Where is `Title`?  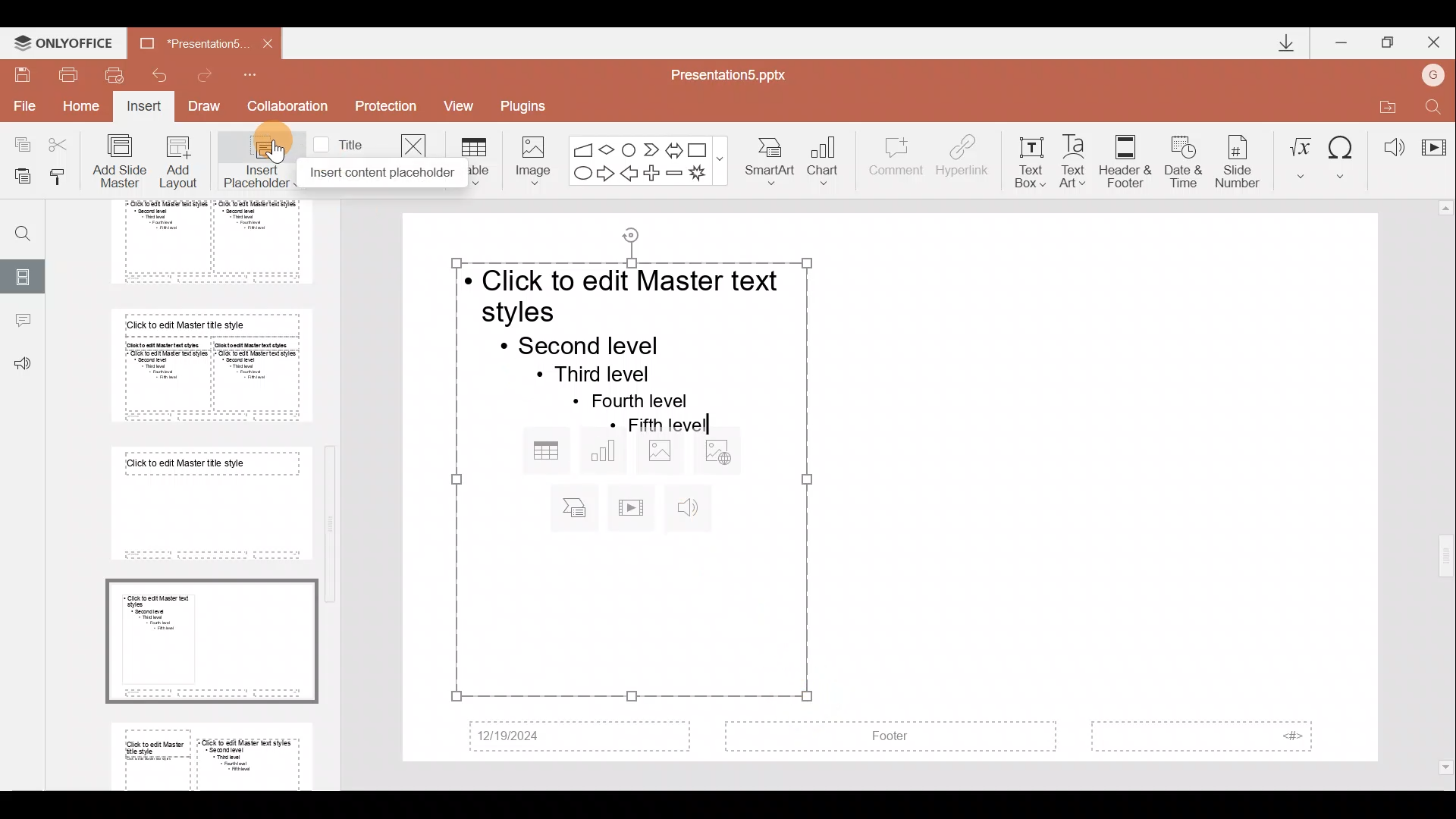
Title is located at coordinates (343, 143).